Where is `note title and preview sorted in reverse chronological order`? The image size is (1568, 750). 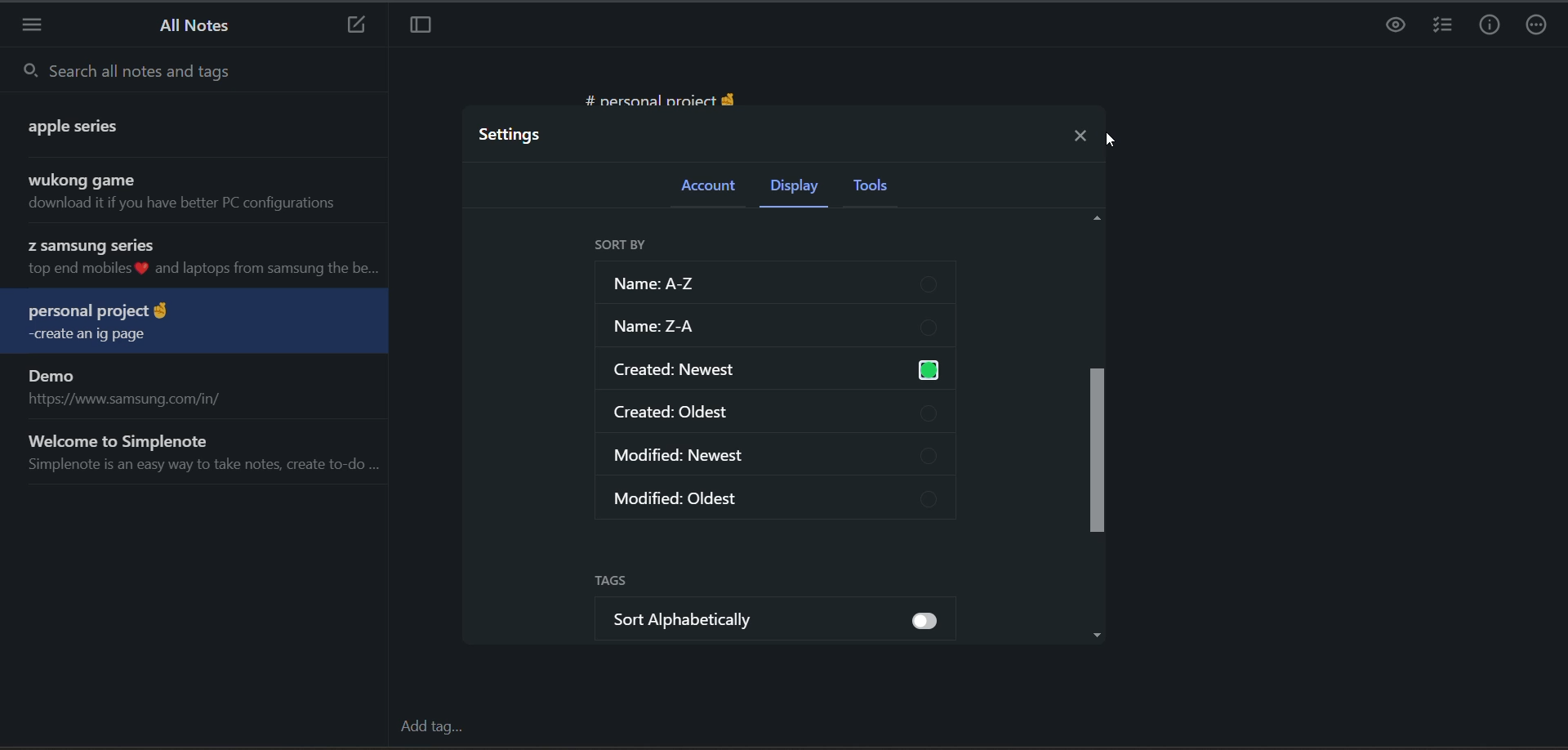 note title and preview sorted in reverse chronological order is located at coordinates (206, 386).